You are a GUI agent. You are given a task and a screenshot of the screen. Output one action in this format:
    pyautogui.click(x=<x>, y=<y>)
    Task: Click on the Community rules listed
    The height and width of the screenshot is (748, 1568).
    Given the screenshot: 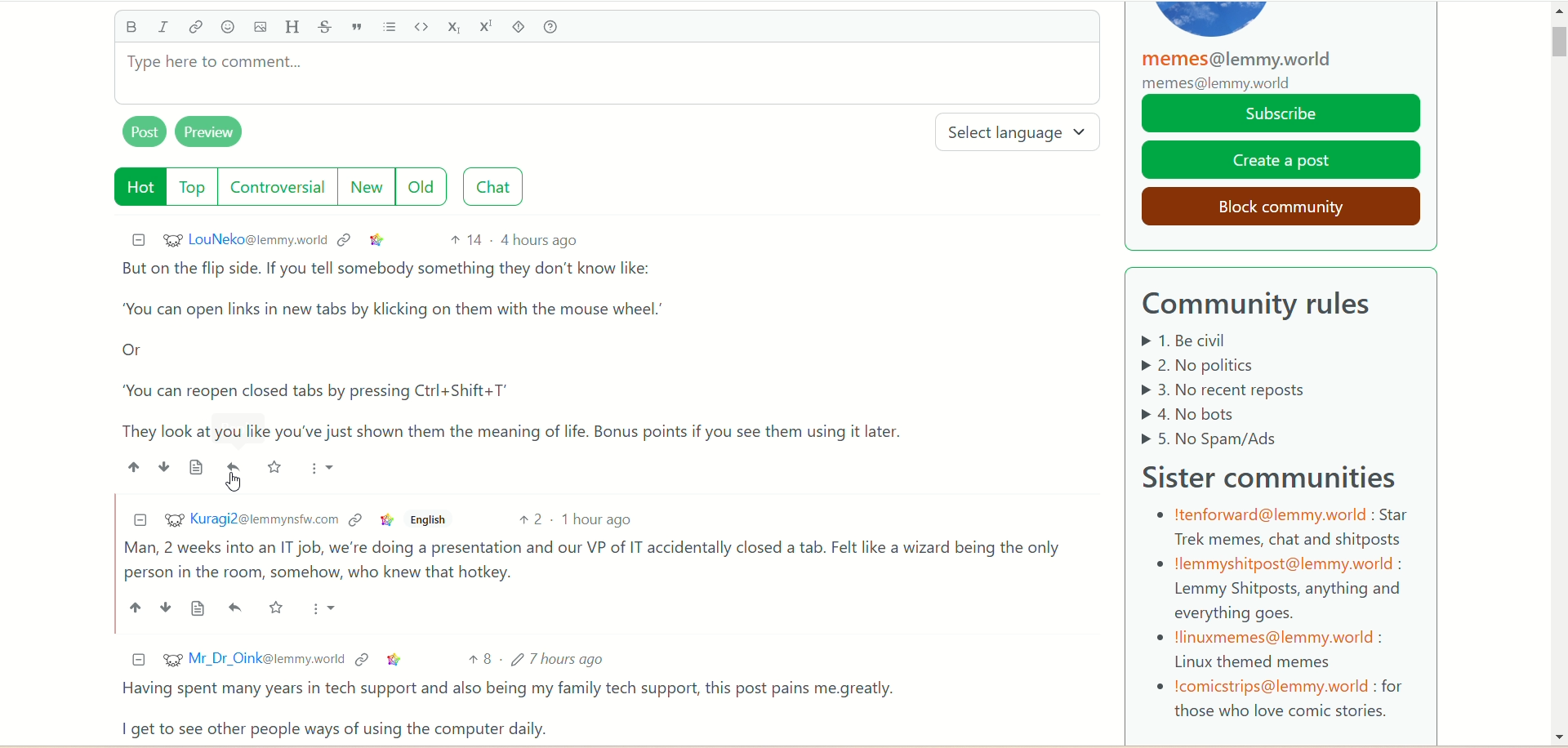 What is the action you would take?
    pyautogui.click(x=1258, y=390)
    